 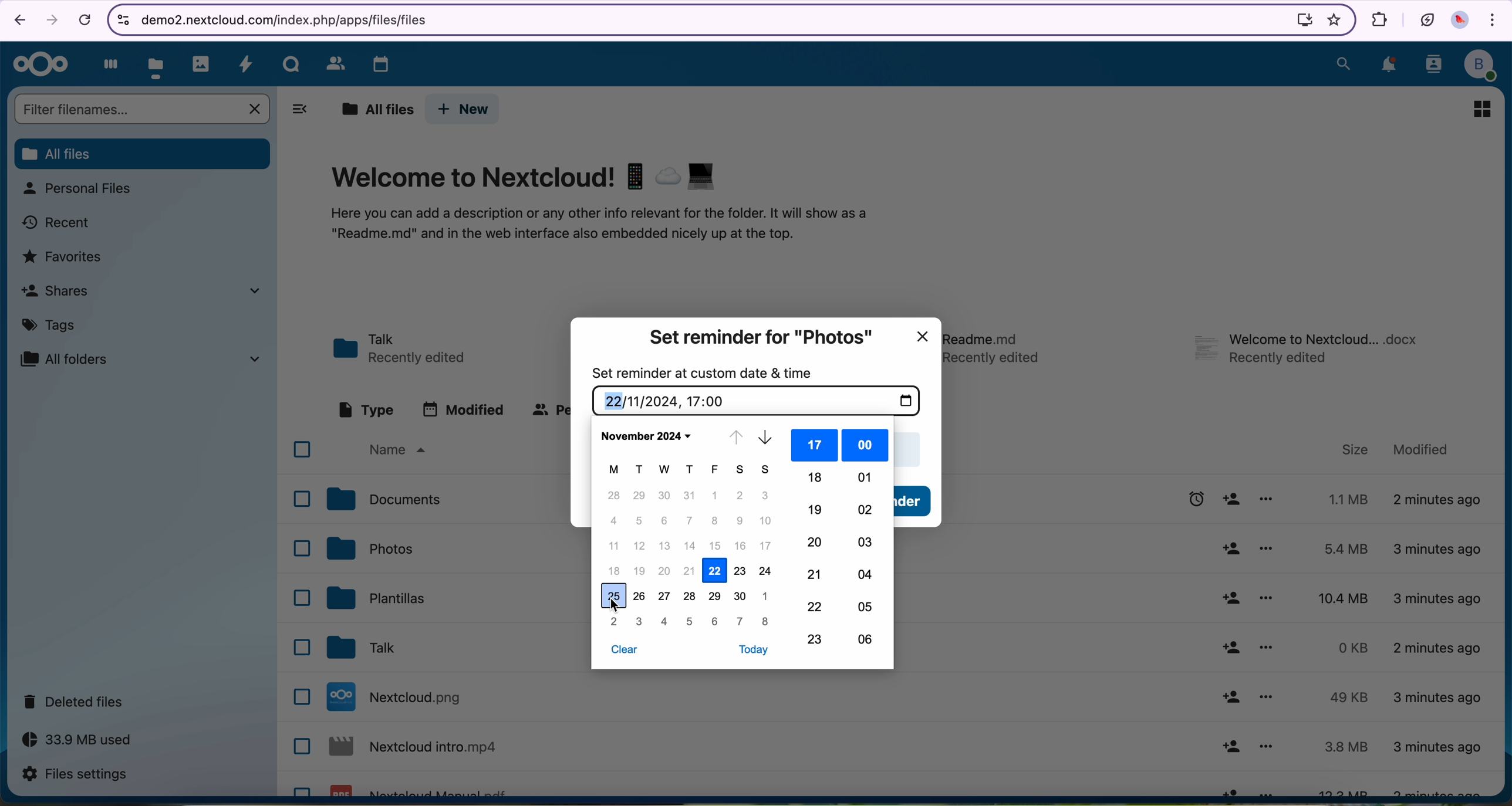 What do you see at coordinates (640, 595) in the screenshot?
I see `26` at bounding box center [640, 595].